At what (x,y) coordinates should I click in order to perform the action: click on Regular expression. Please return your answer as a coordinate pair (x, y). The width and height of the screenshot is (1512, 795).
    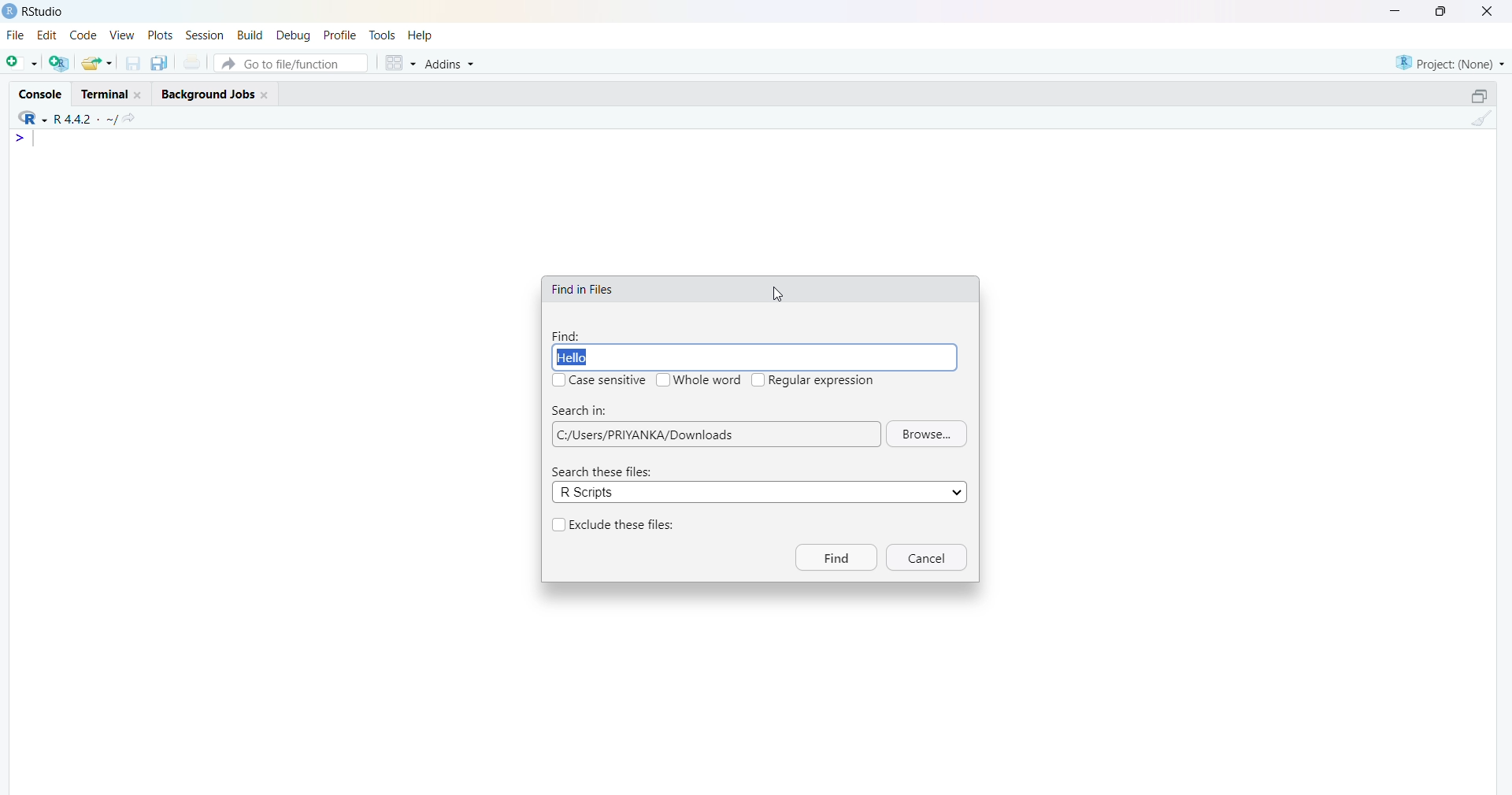
    Looking at the image, I should click on (822, 380).